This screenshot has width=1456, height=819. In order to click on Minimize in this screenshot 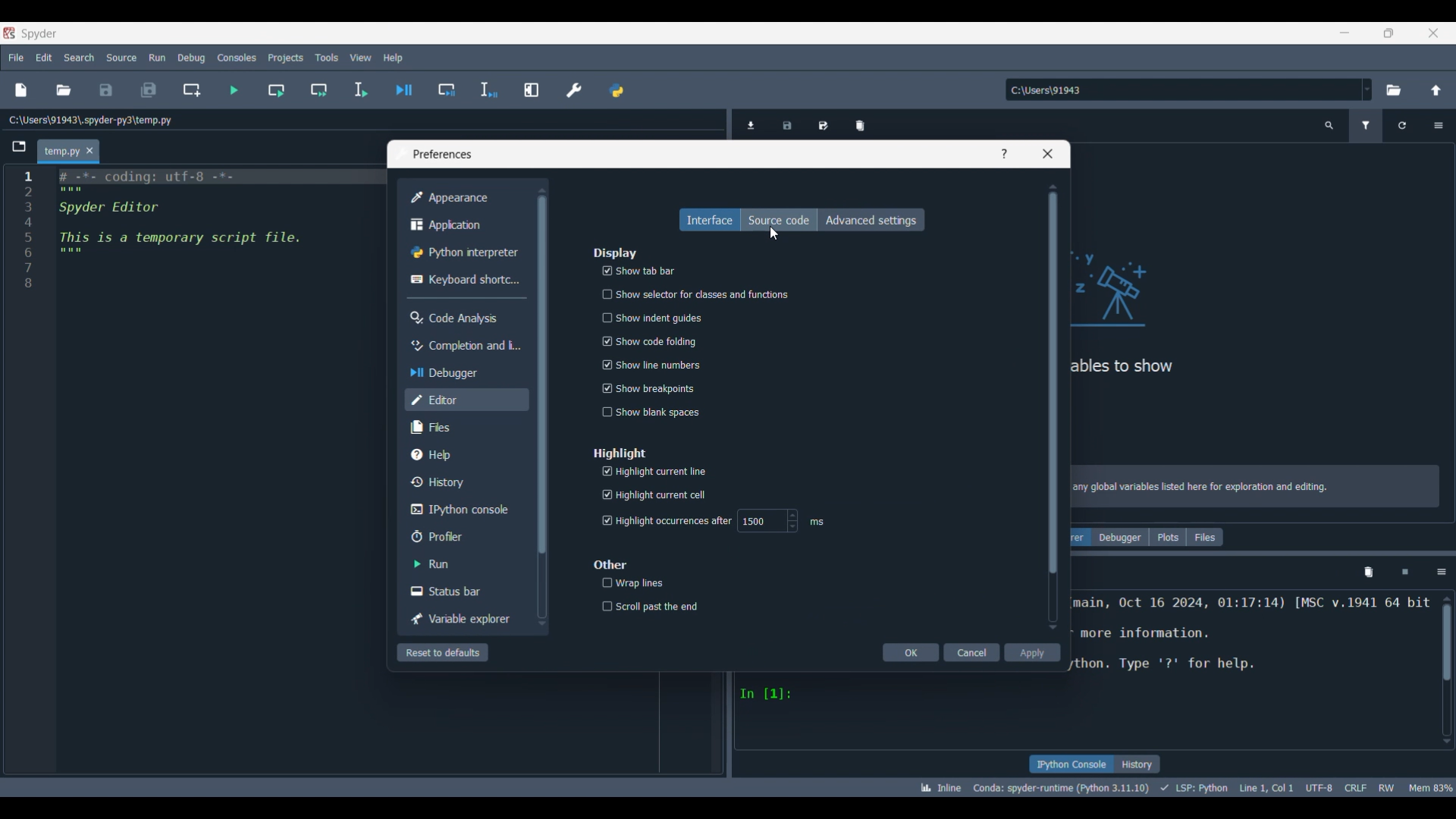, I will do `click(1345, 33)`.